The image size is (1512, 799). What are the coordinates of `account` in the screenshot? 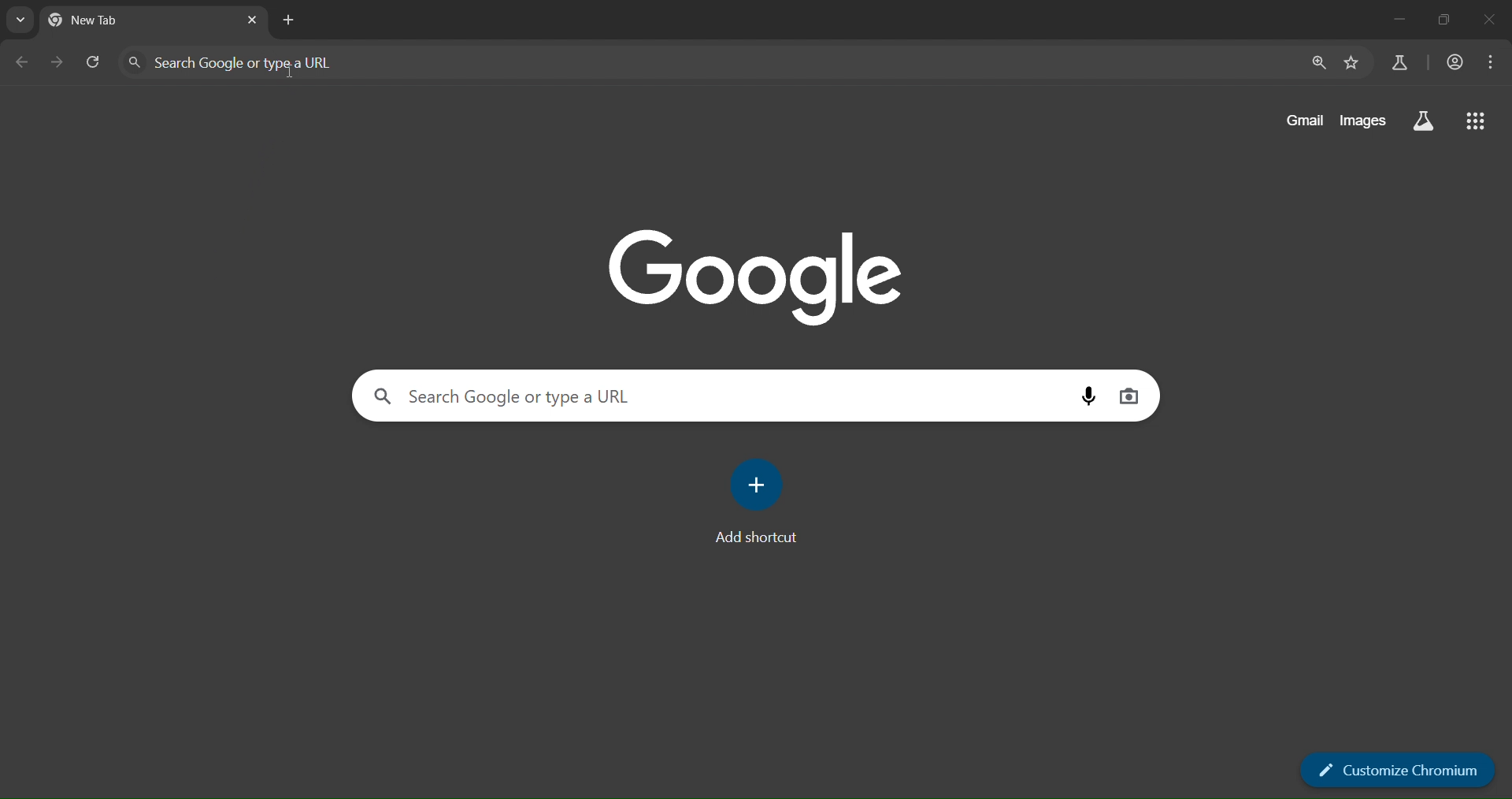 It's located at (1453, 61).